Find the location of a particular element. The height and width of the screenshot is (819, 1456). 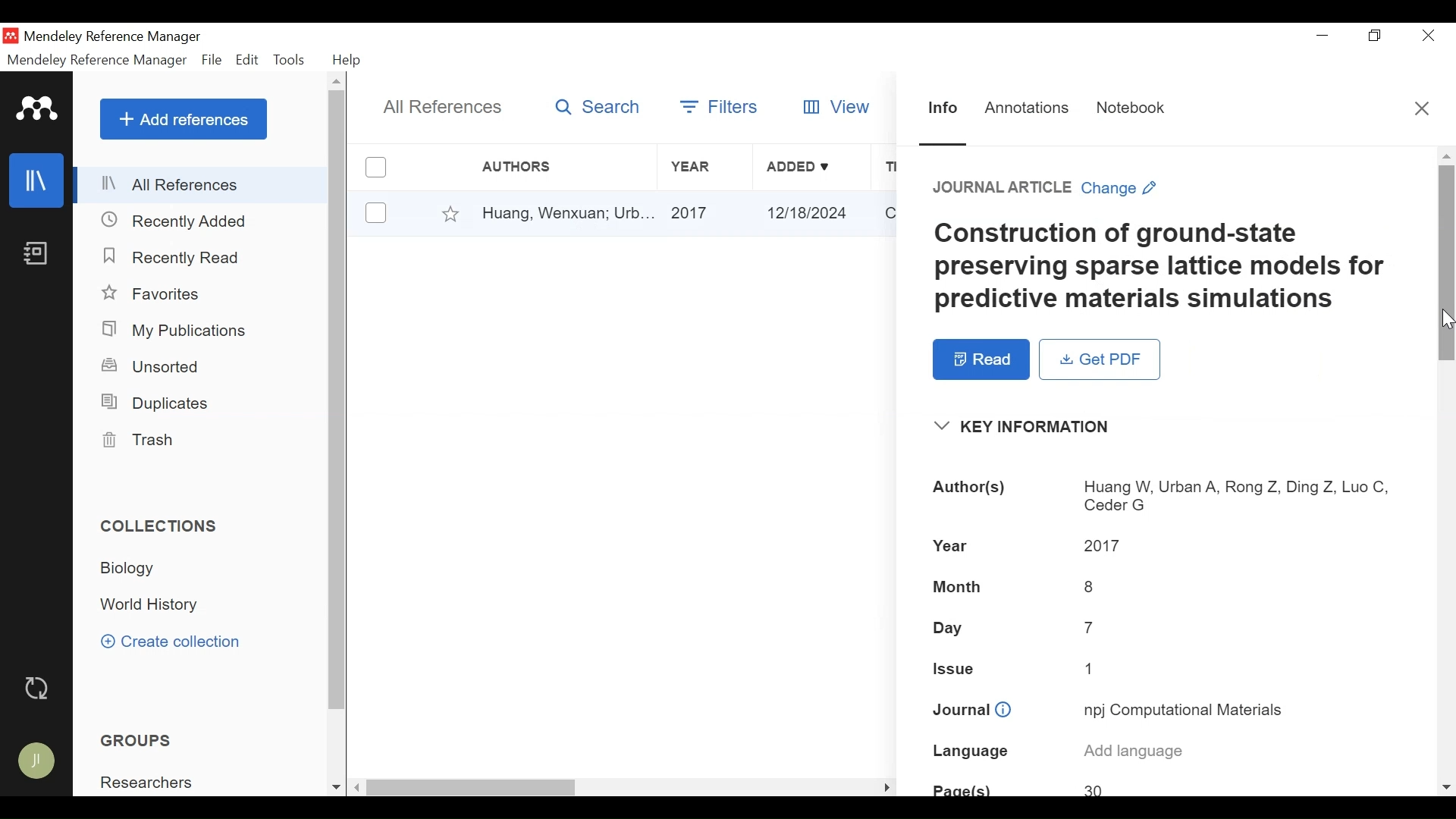

Key Information is located at coordinates (1029, 427).